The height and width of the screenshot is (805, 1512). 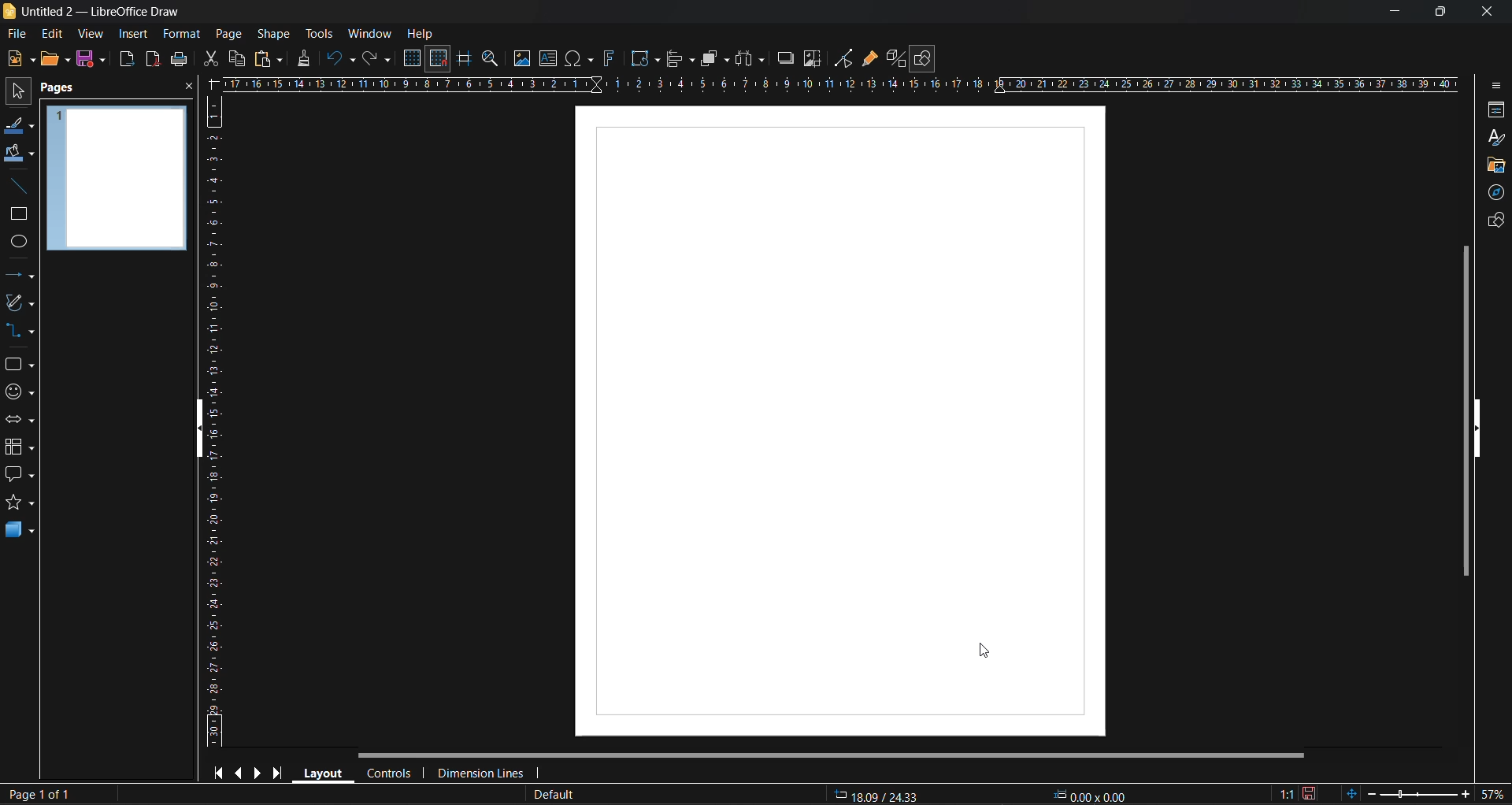 I want to click on horizontal scroll bar, so click(x=835, y=754).